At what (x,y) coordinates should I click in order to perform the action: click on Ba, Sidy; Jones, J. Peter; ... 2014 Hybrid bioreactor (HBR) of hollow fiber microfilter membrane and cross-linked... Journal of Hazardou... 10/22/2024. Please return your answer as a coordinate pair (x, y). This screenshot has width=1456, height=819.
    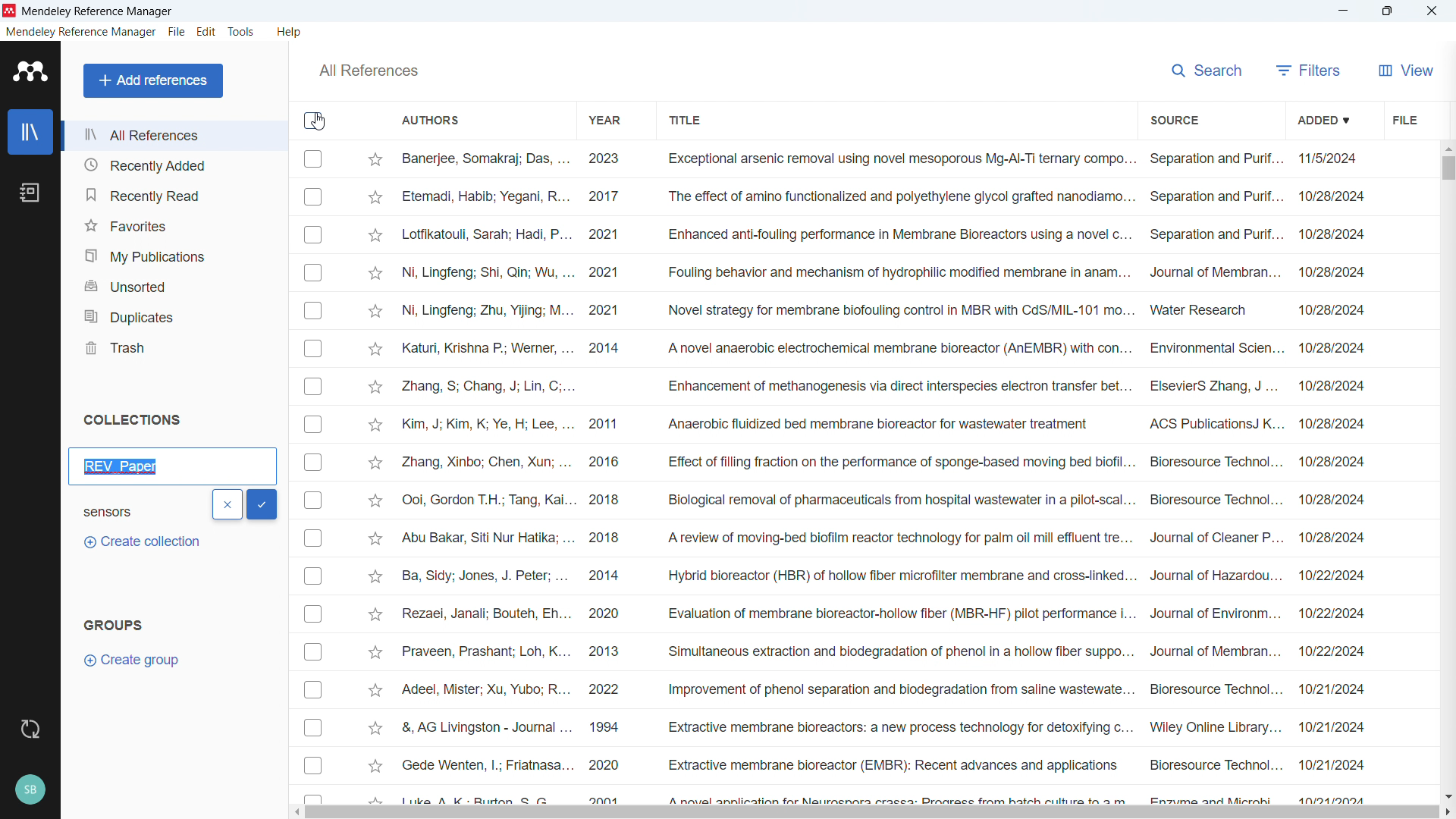
    Looking at the image, I should click on (883, 575).